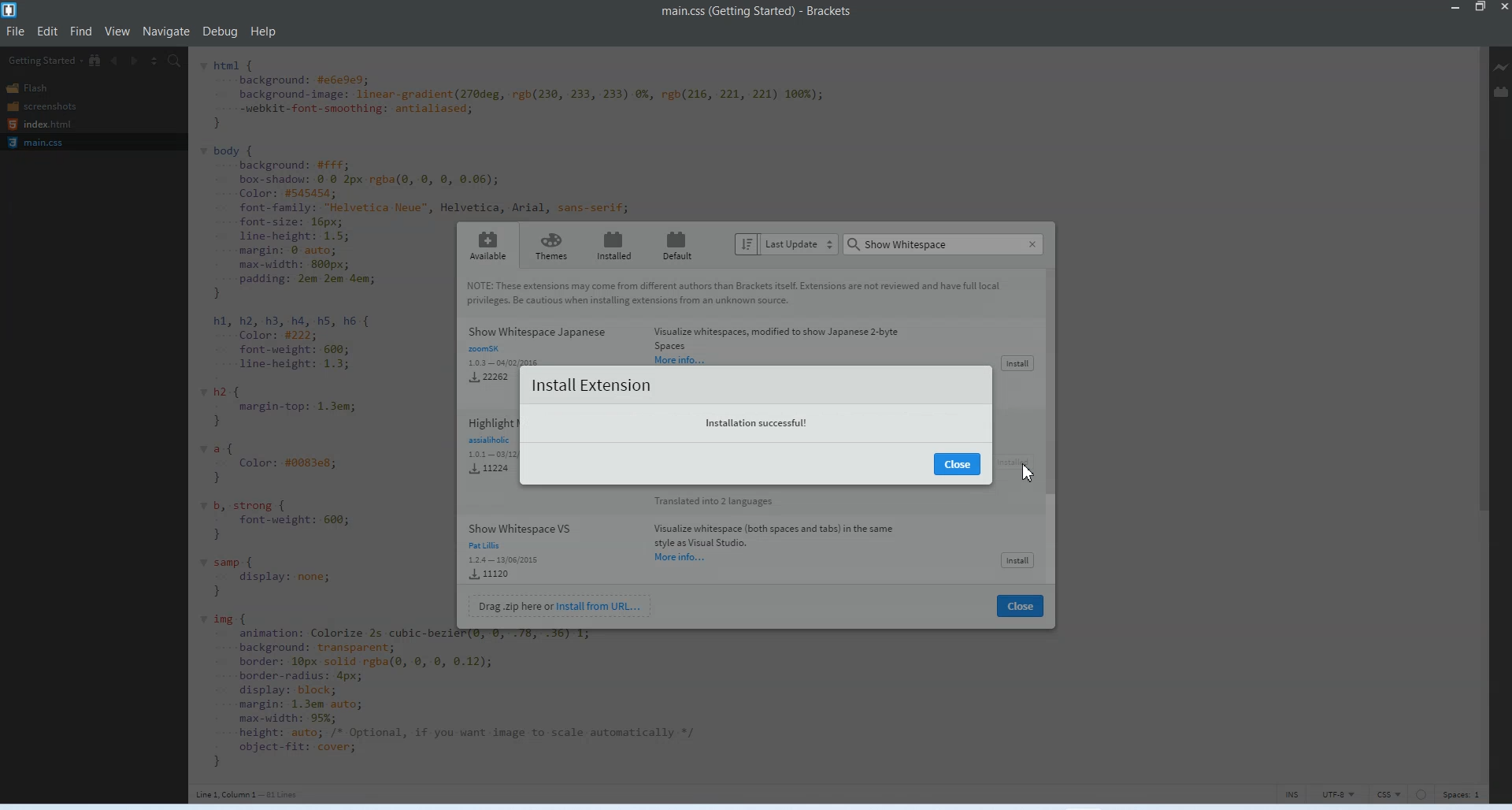 The image size is (1512, 810). I want to click on Text 1, so click(751, 14).